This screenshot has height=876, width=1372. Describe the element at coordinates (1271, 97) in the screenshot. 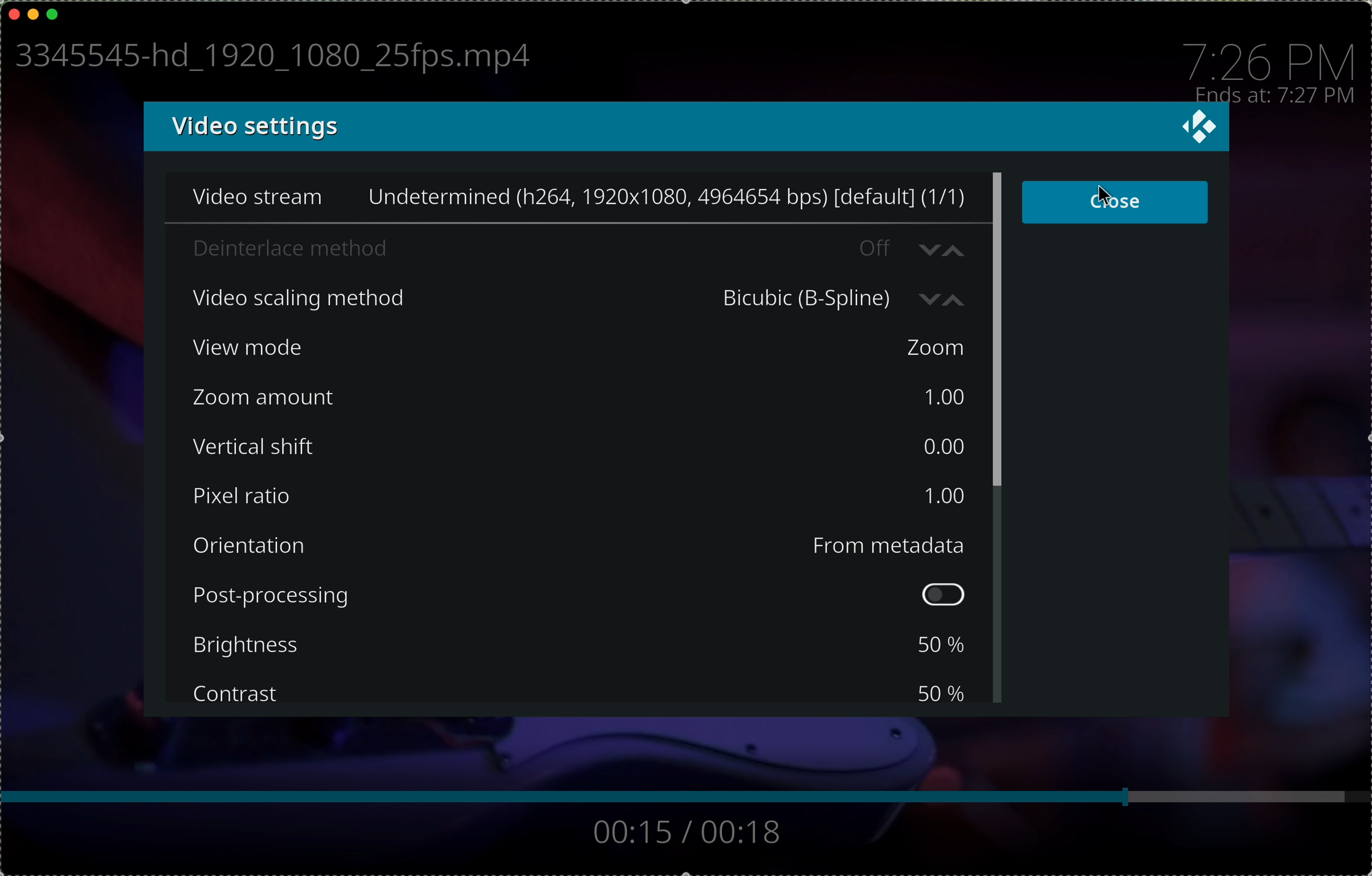

I see `time` at that location.